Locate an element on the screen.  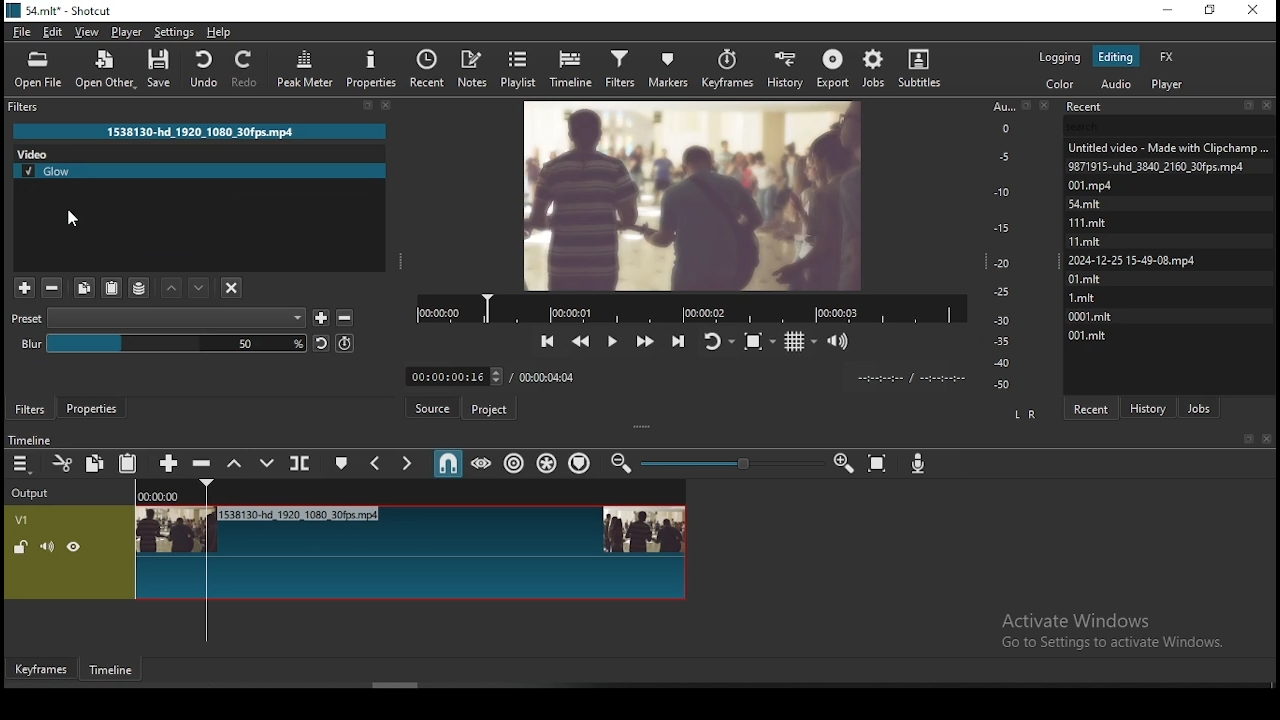
9871915-uhd 3840 2160 30fps.mpd is located at coordinates (1160, 166).